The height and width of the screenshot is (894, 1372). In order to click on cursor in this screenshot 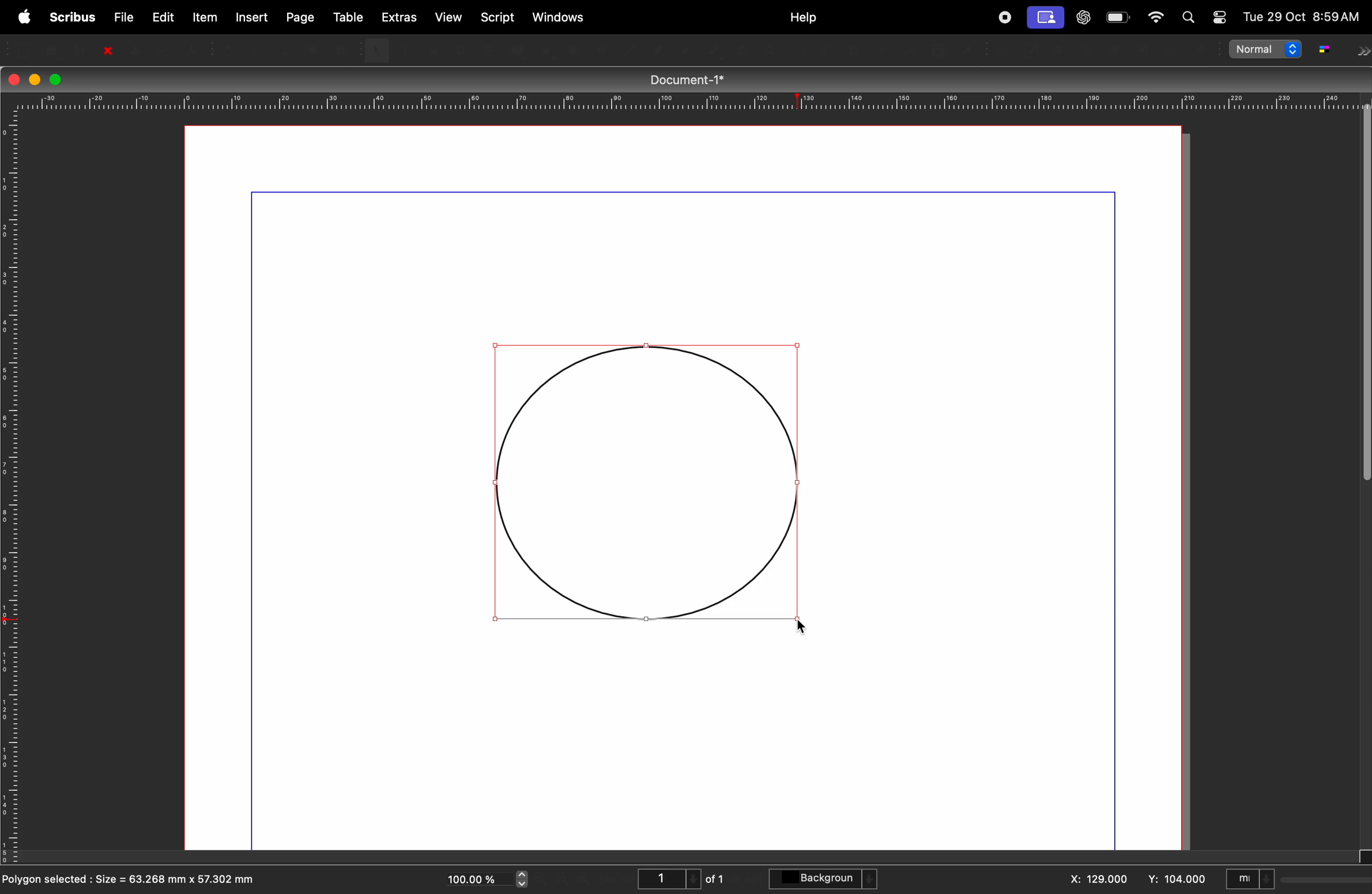, I will do `click(803, 626)`.